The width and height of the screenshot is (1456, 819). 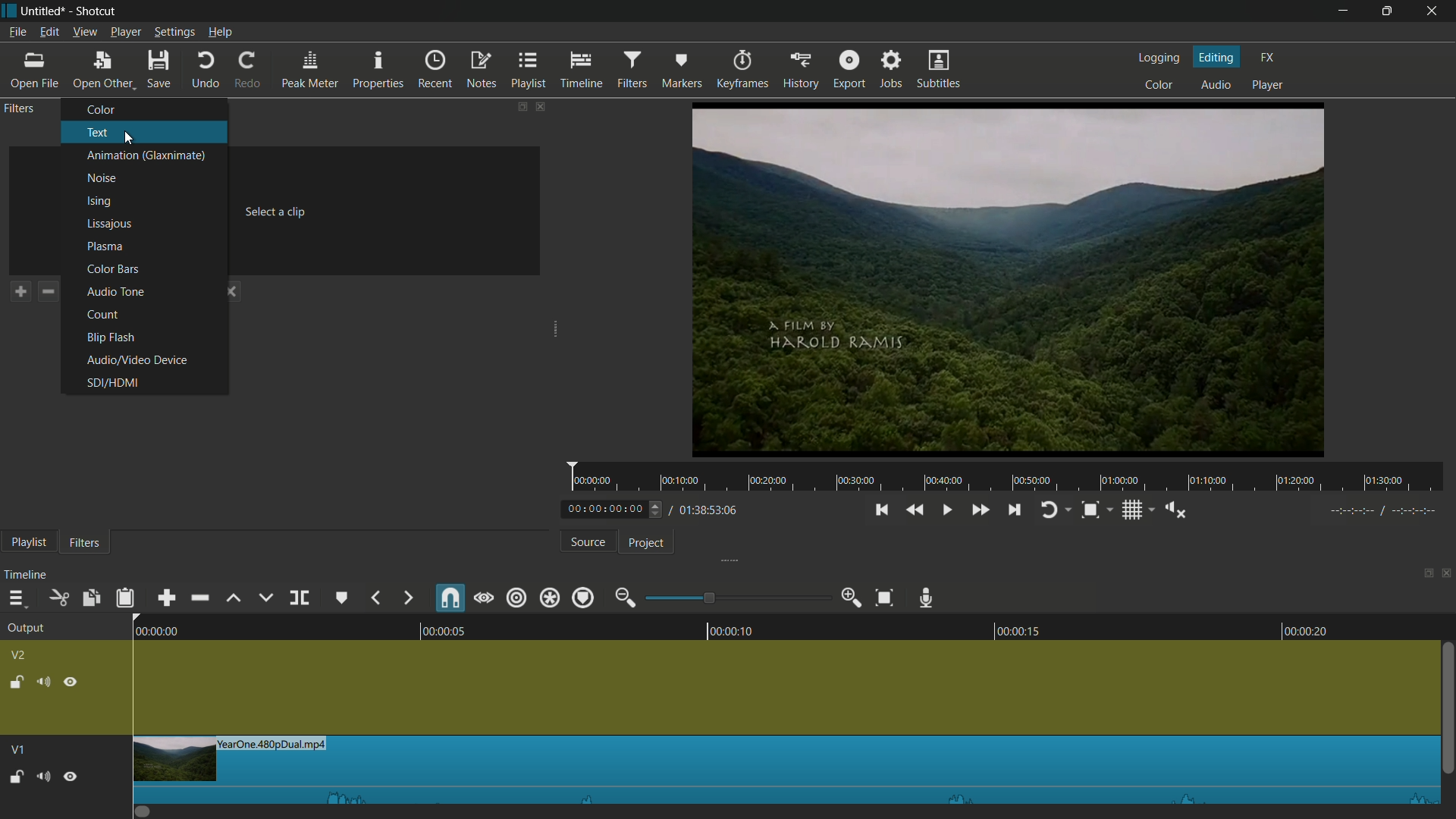 What do you see at coordinates (1434, 11) in the screenshot?
I see `close app` at bounding box center [1434, 11].